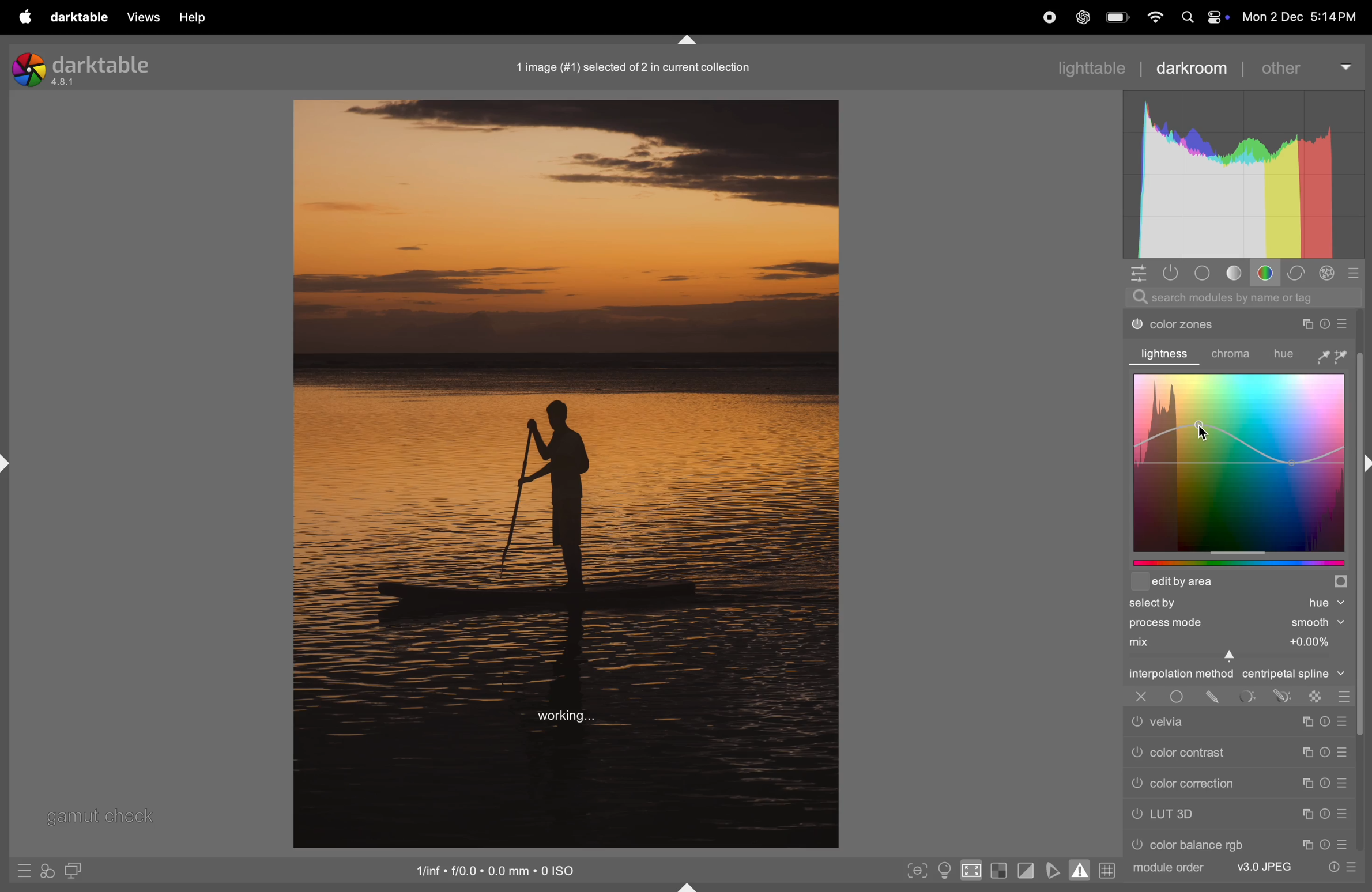 The image size is (1372, 892). I want to click on mix, so click(1234, 641).